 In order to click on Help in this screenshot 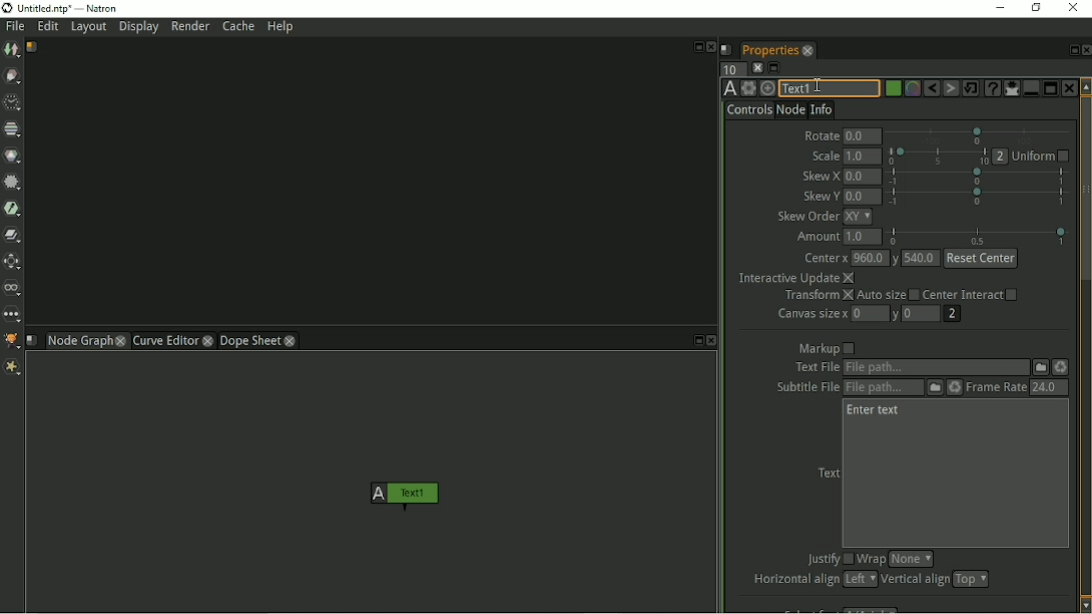, I will do `click(282, 28)`.